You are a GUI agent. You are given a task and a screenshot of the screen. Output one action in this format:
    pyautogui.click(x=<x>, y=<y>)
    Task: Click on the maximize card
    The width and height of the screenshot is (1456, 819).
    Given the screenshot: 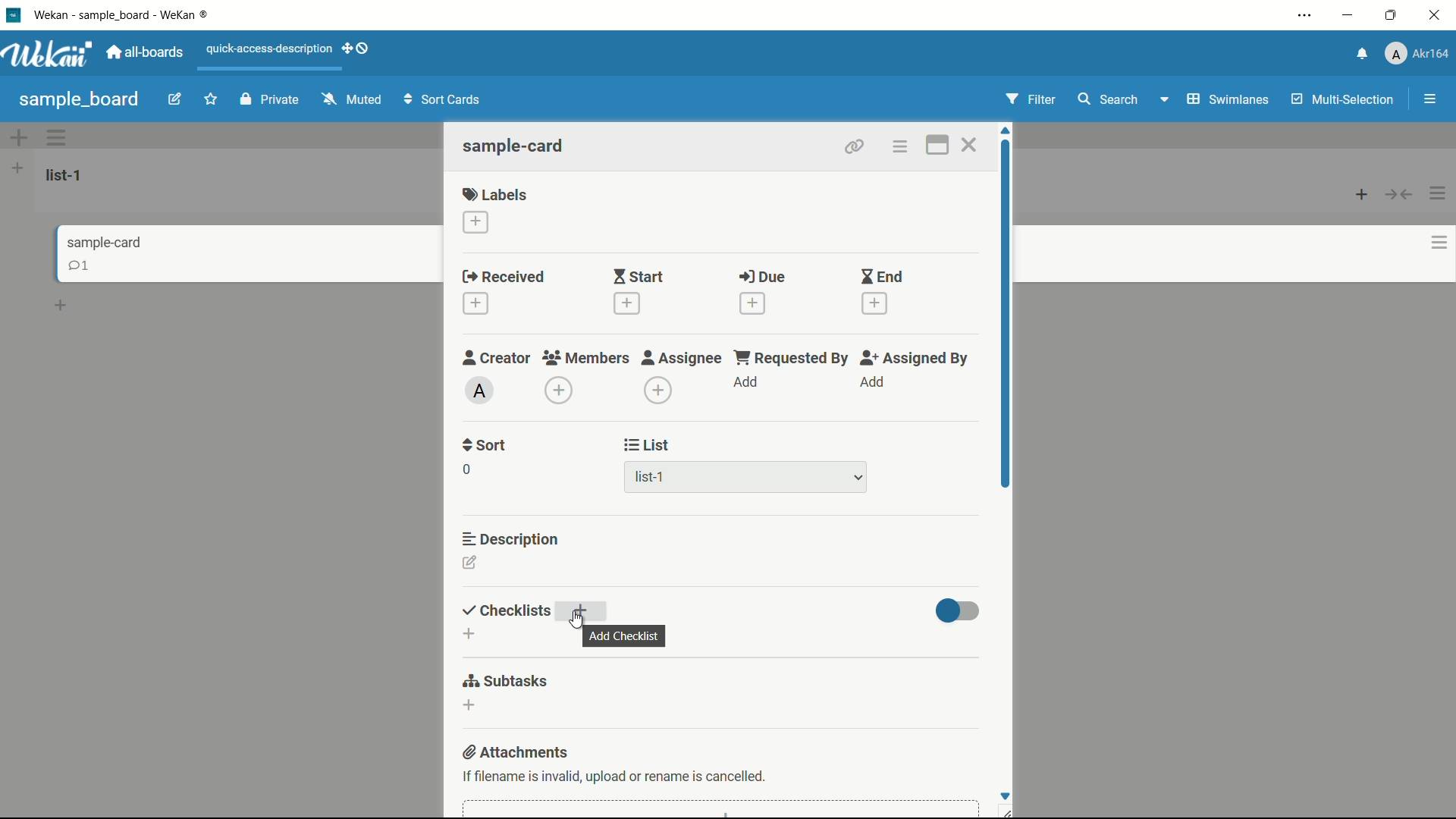 What is the action you would take?
    pyautogui.click(x=937, y=145)
    